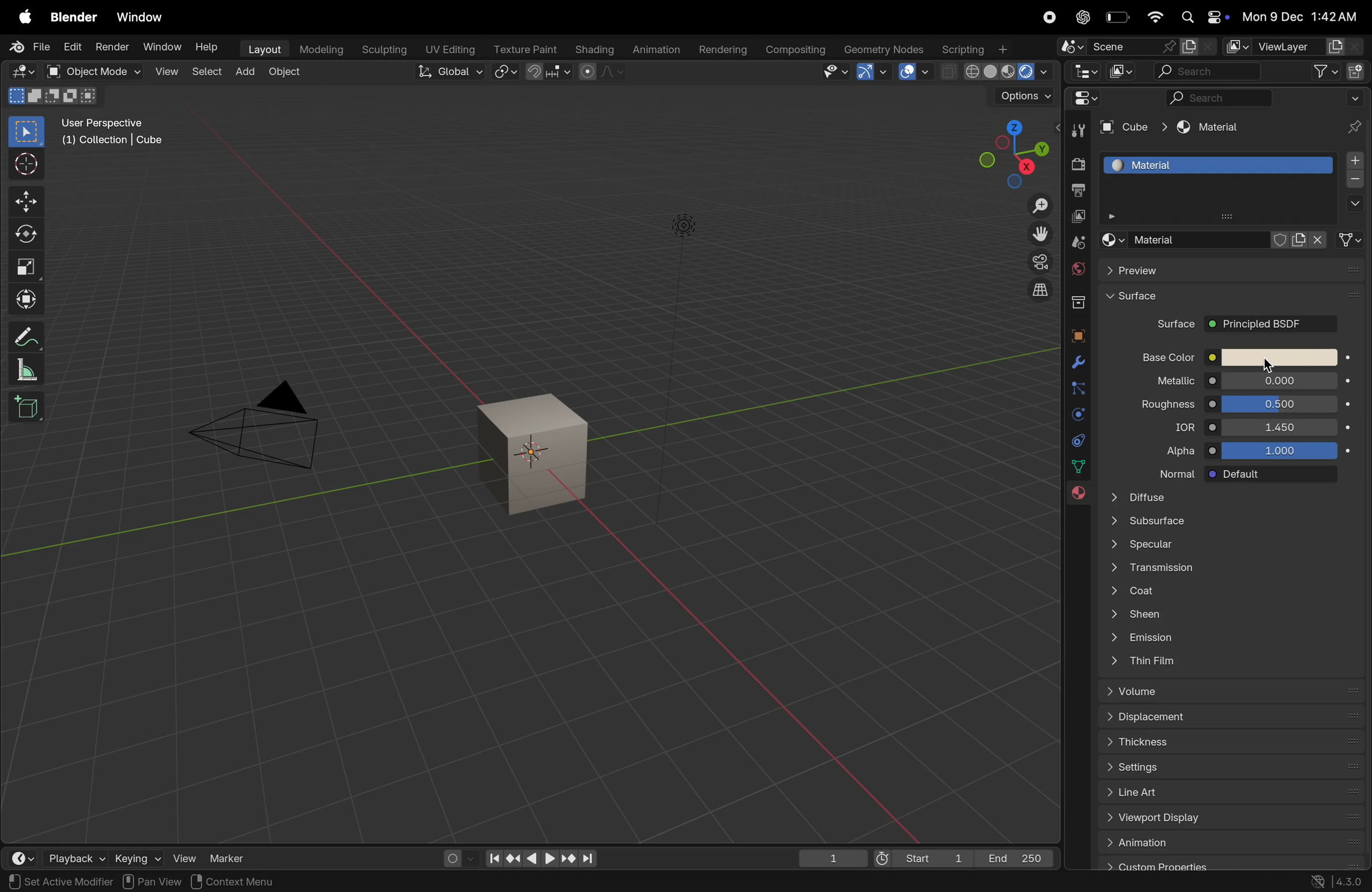 Image resolution: width=1372 pixels, height=892 pixels. What do you see at coordinates (1319, 71) in the screenshot?
I see `filter` at bounding box center [1319, 71].